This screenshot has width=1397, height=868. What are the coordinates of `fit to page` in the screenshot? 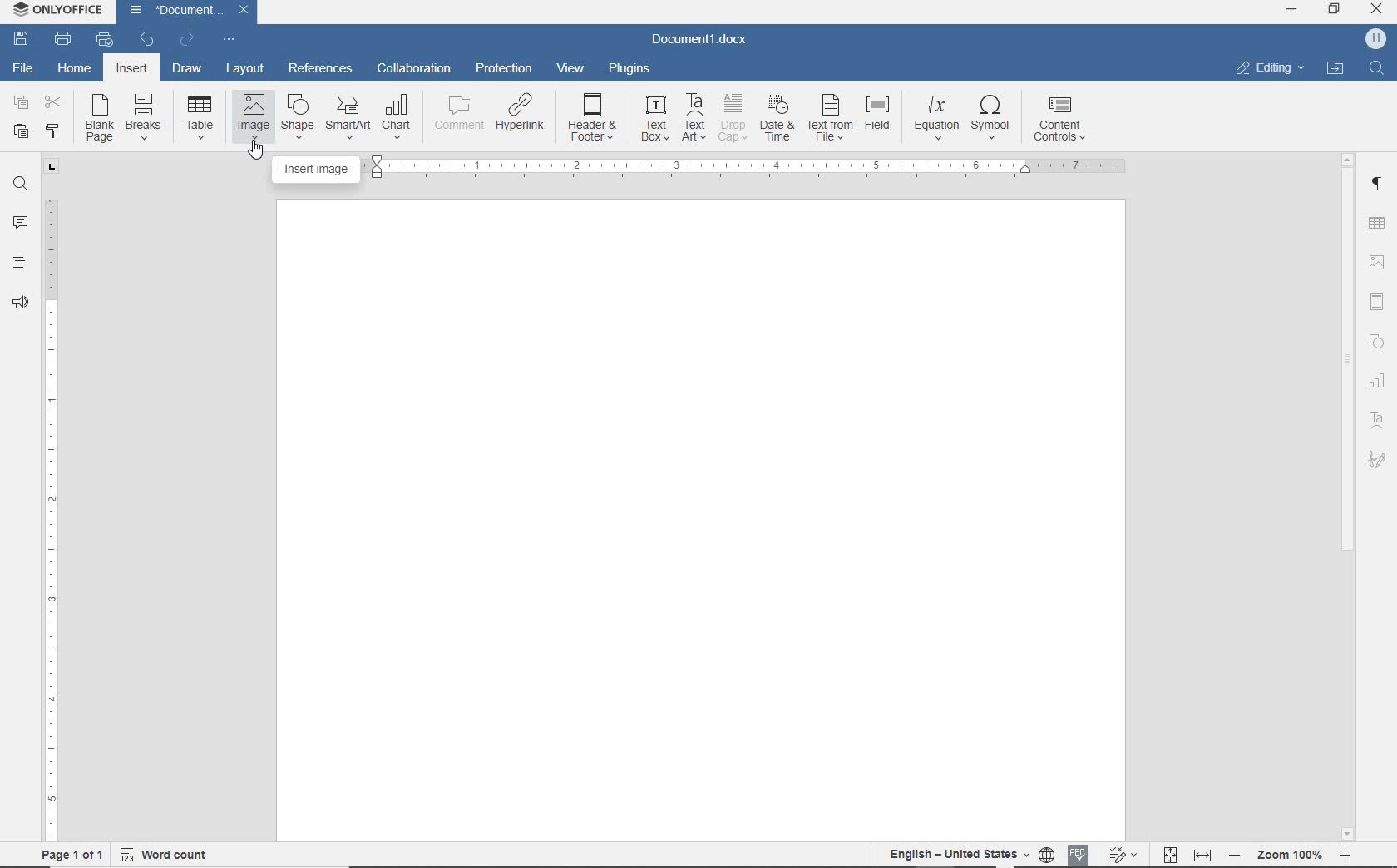 It's located at (1171, 854).